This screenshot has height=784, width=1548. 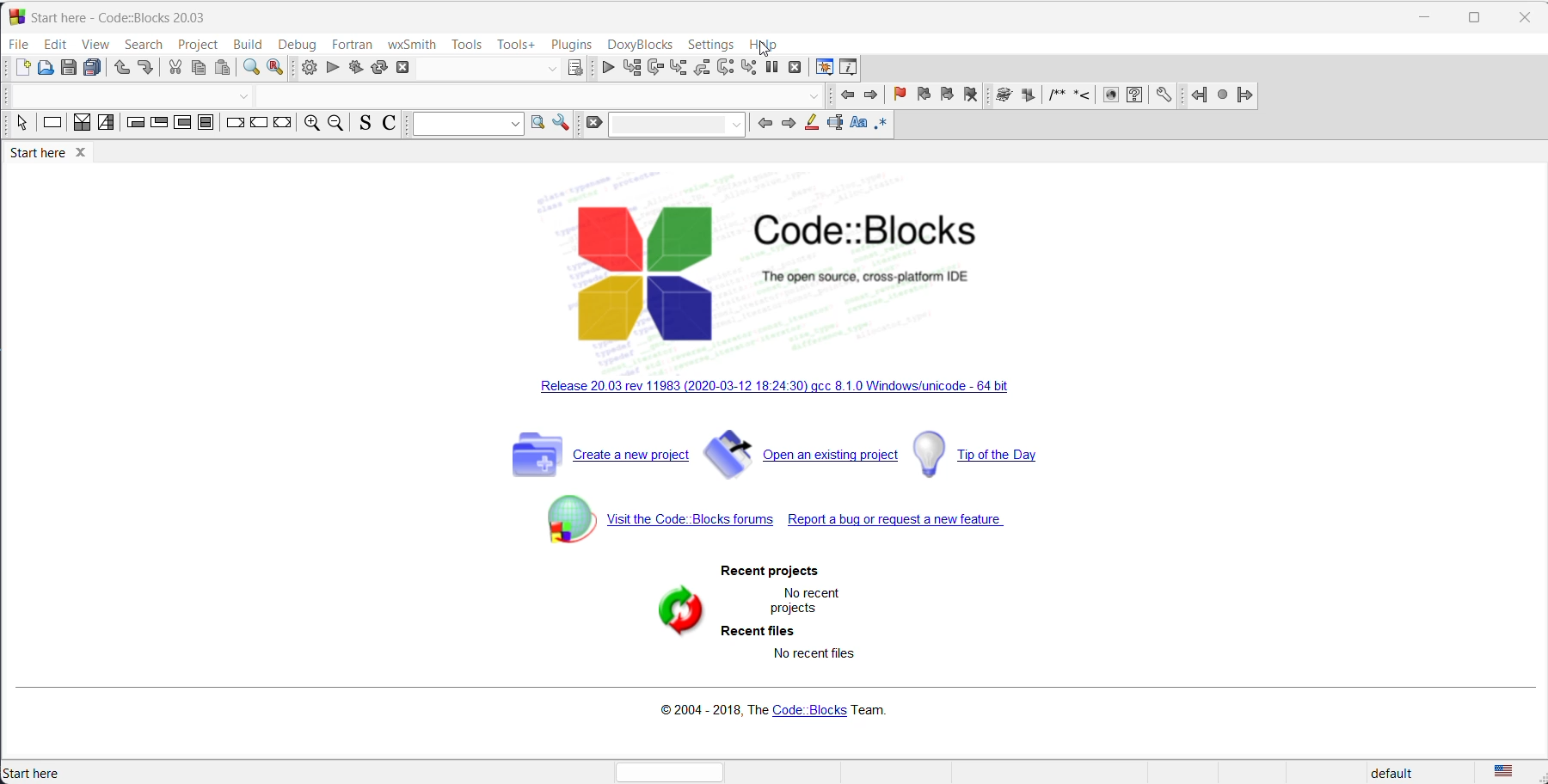 What do you see at coordinates (887, 125) in the screenshot?
I see `regex` at bounding box center [887, 125].